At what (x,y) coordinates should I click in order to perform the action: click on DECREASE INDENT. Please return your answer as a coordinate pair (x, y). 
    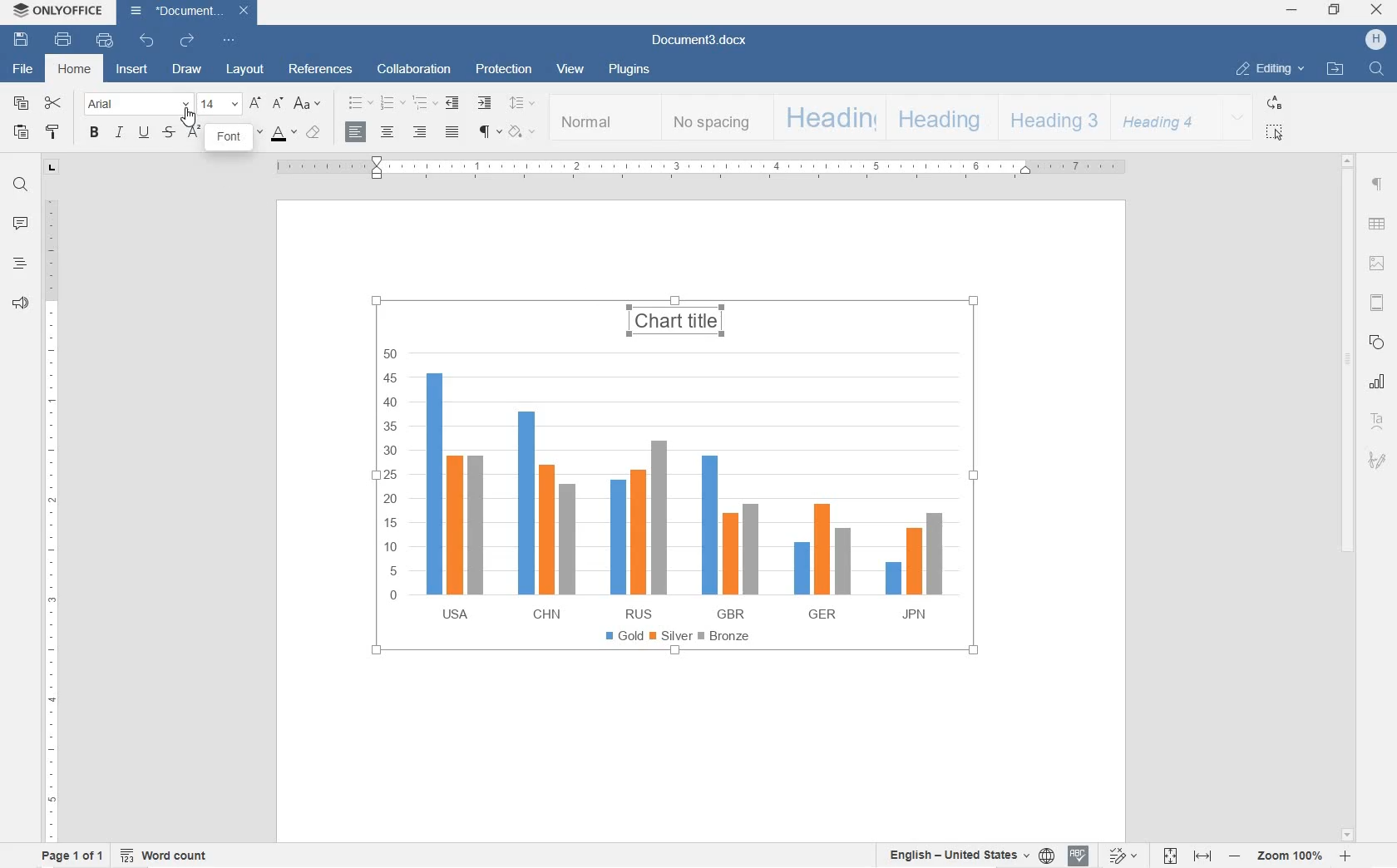
    Looking at the image, I should click on (451, 104).